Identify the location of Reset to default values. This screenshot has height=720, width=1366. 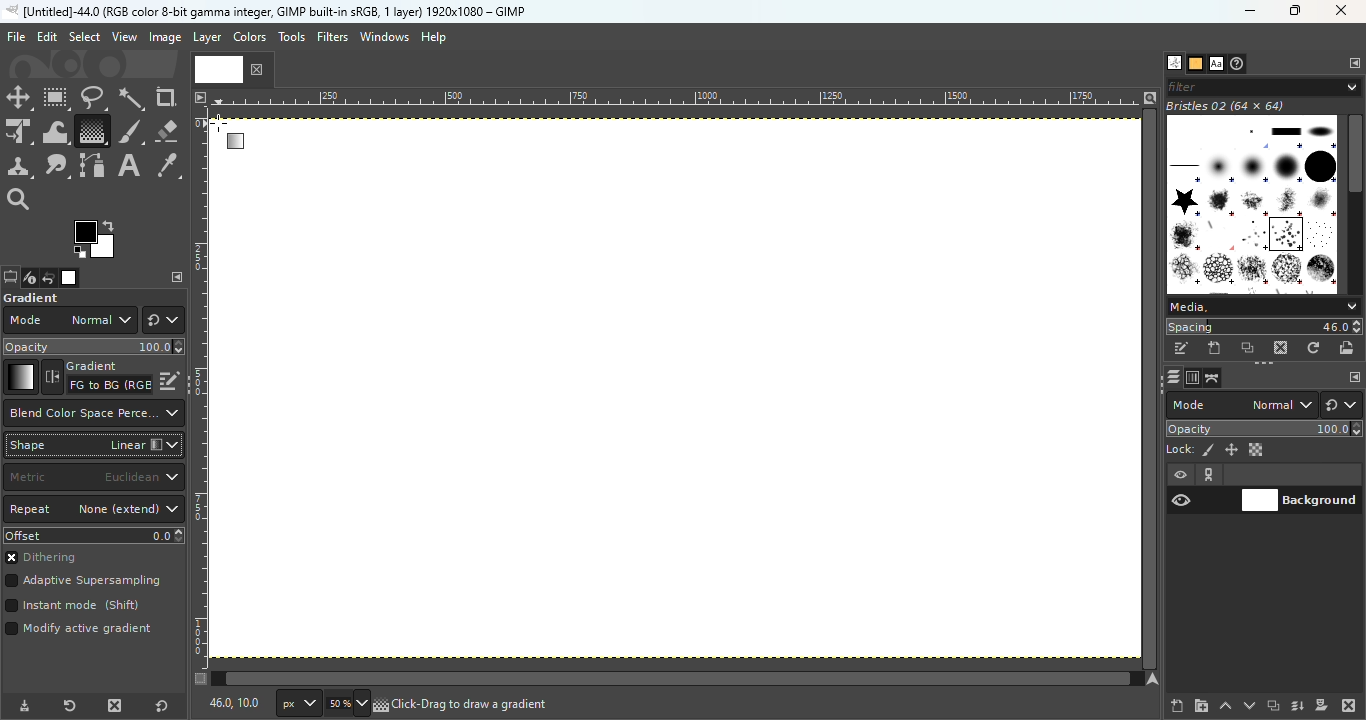
(166, 705).